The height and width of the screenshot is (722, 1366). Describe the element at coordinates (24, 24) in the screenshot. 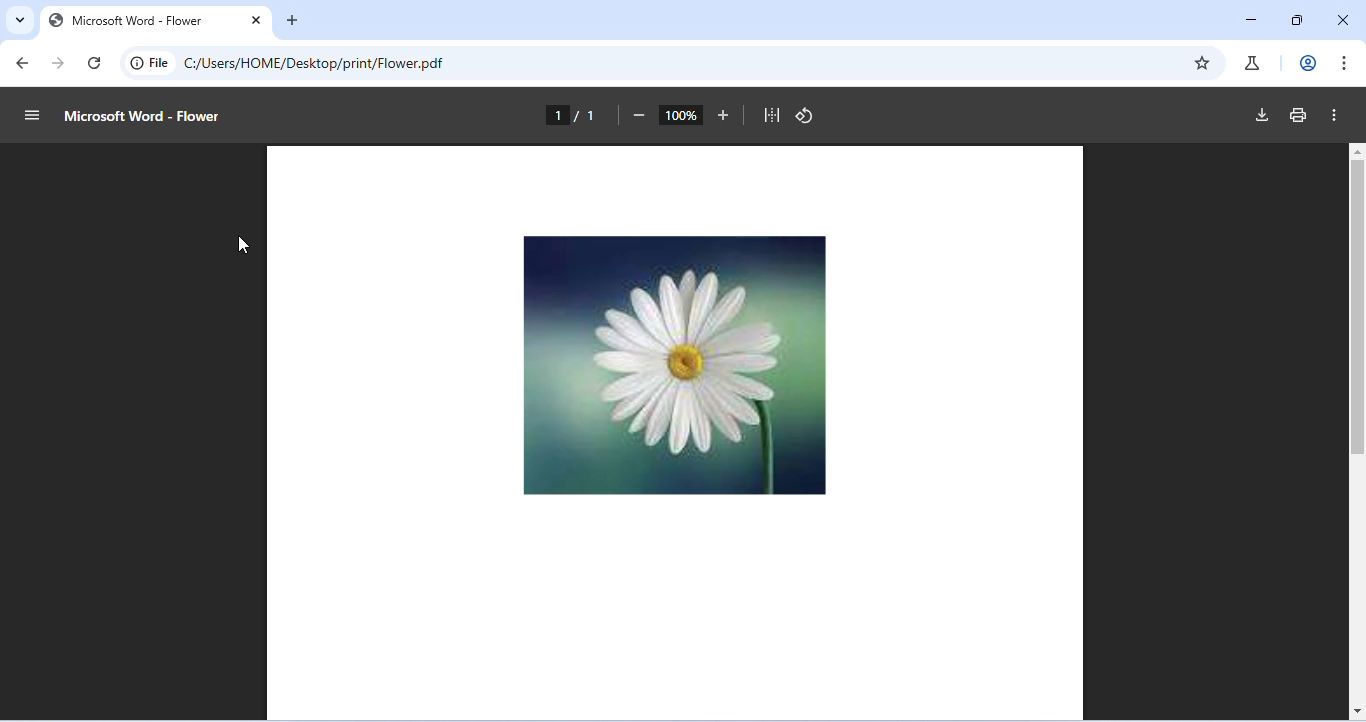

I see `search tab` at that location.